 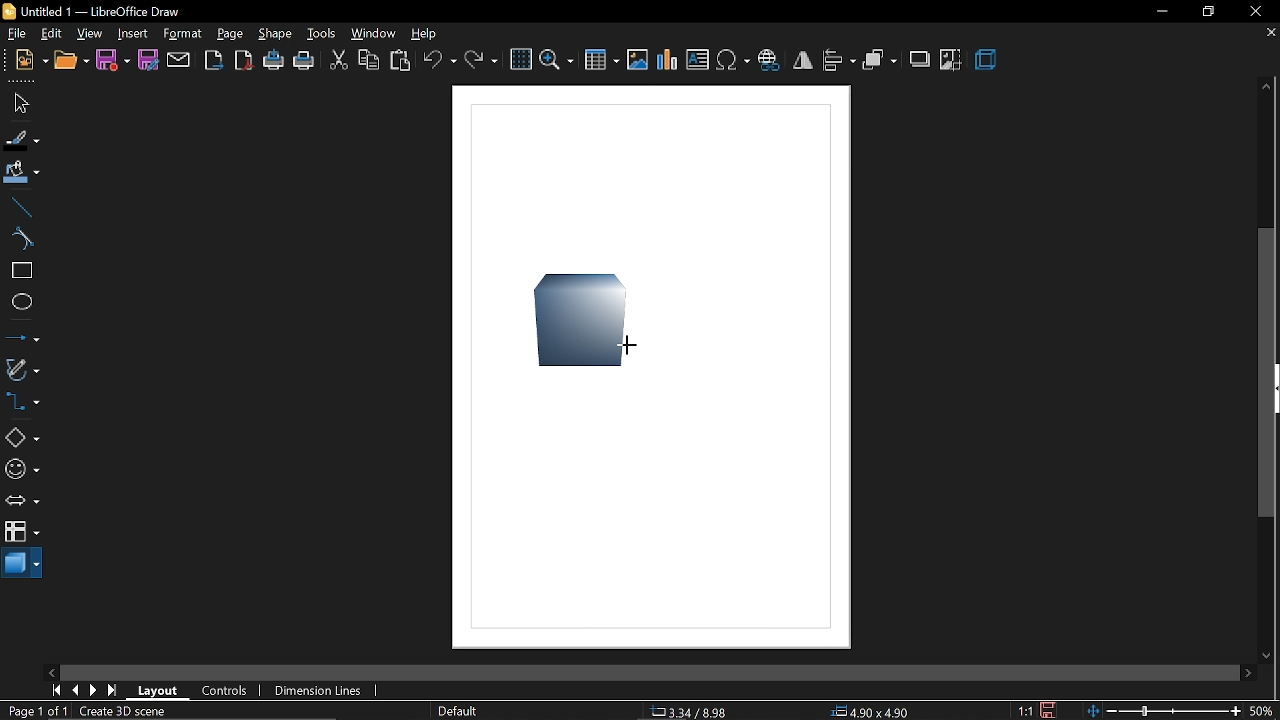 I want to click on basic shapes, so click(x=22, y=436).